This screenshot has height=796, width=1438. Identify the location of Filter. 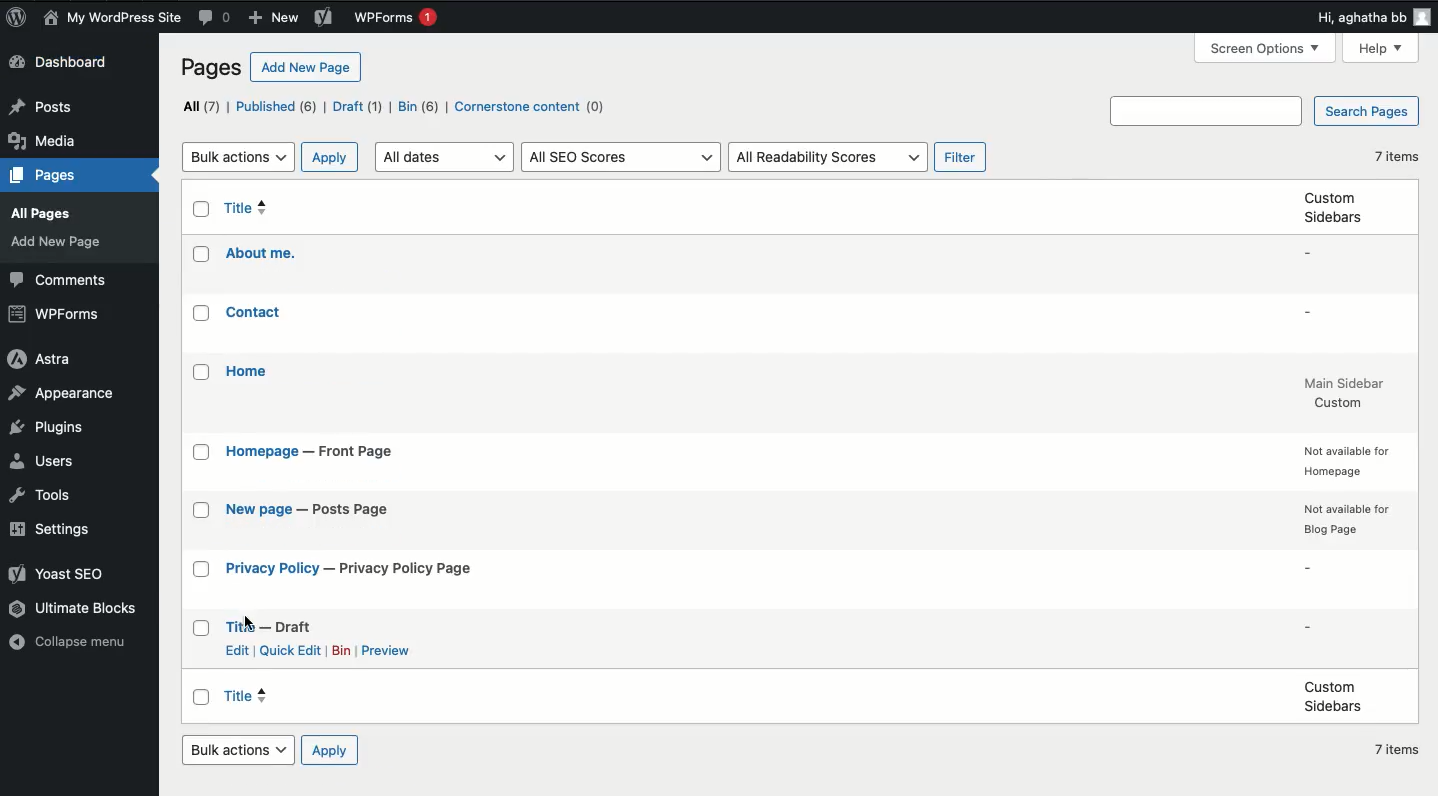
(963, 158).